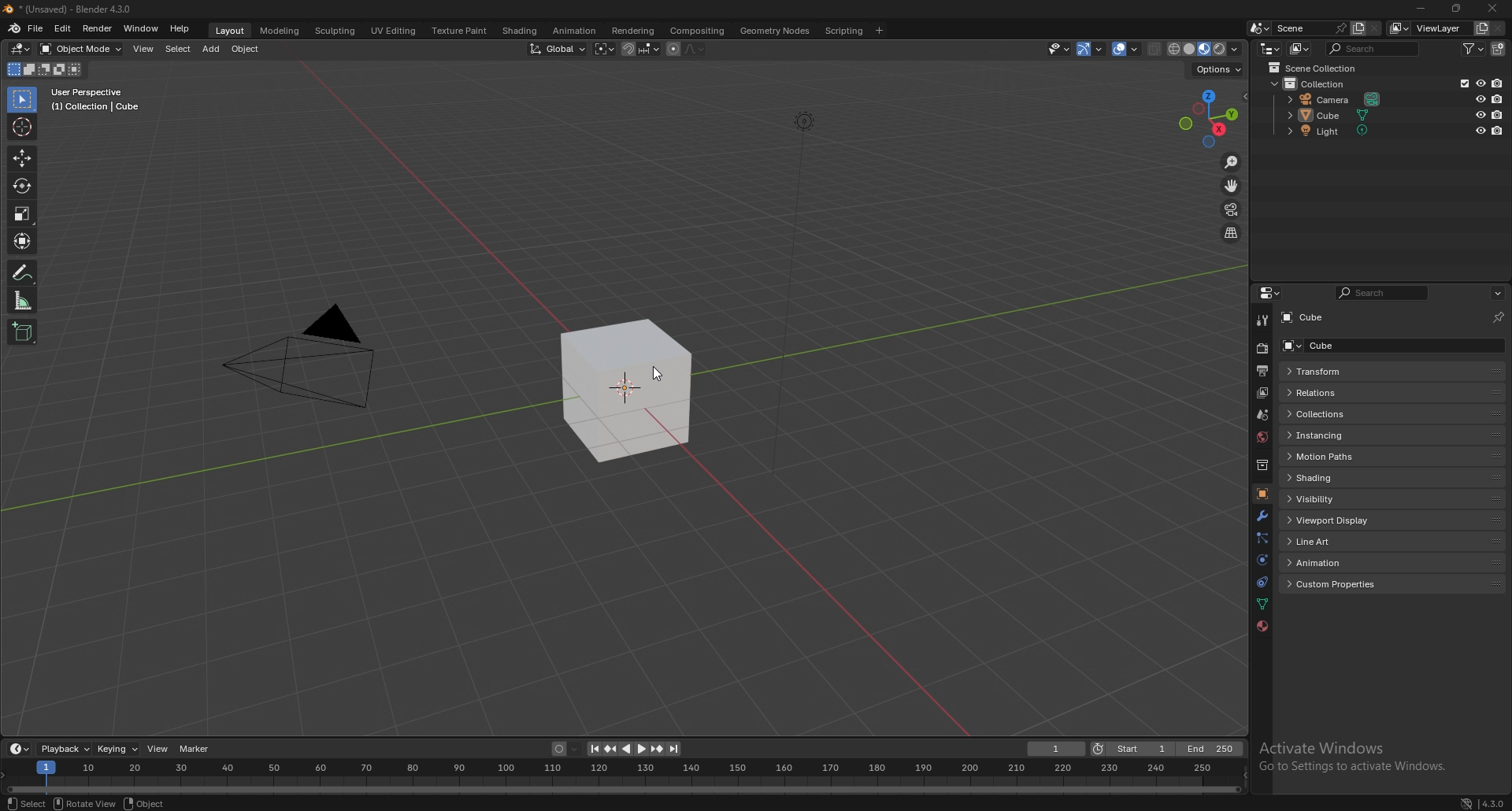 This screenshot has height=811, width=1512. What do you see at coordinates (1357, 28) in the screenshot?
I see `add scene` at bounding box center [1357, 28].